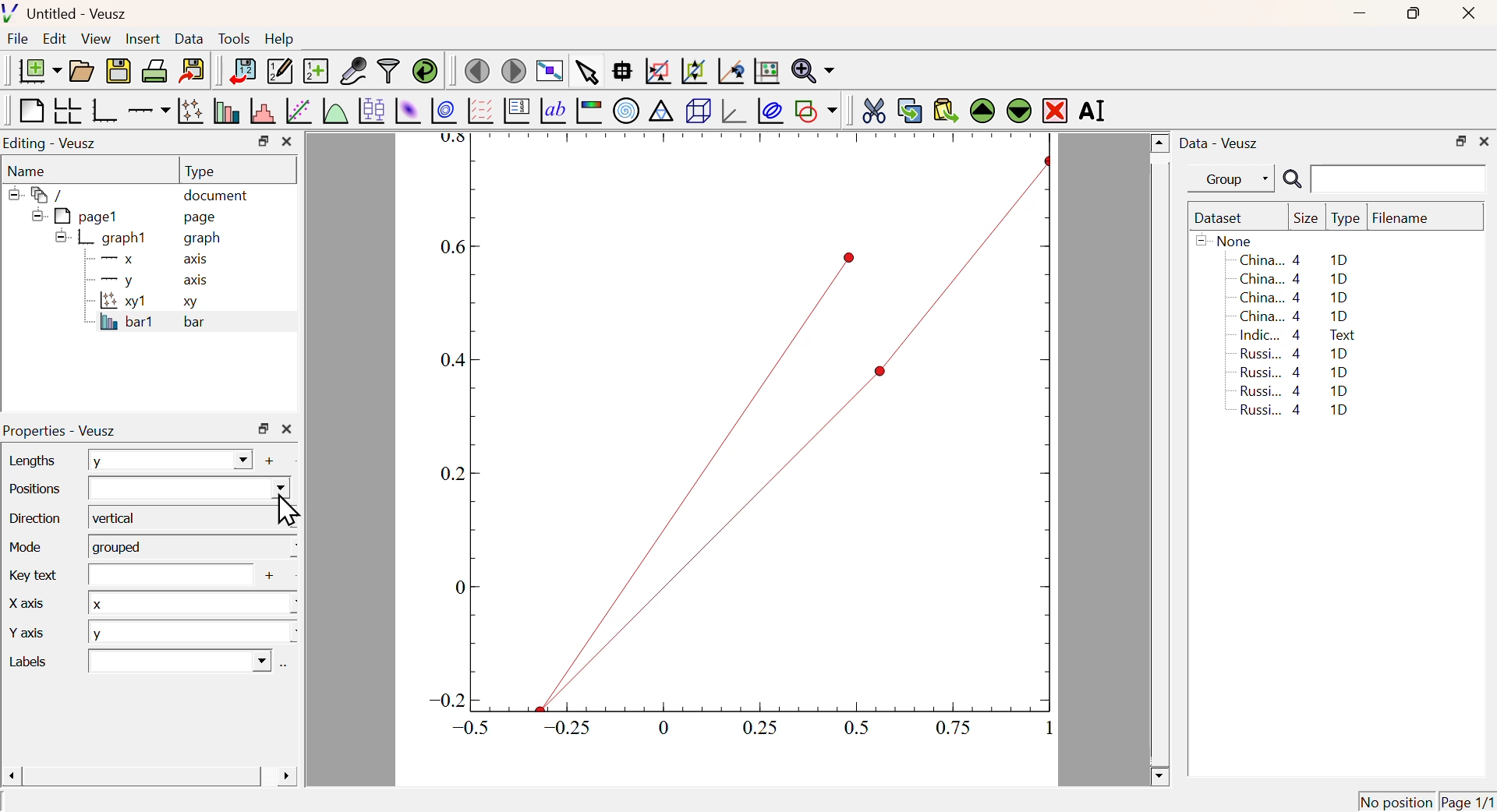 This screenshot has height=812, width=1497. Describe the element at coordinates (154, 70) in the screenshot. I see `Print Document` at that location.